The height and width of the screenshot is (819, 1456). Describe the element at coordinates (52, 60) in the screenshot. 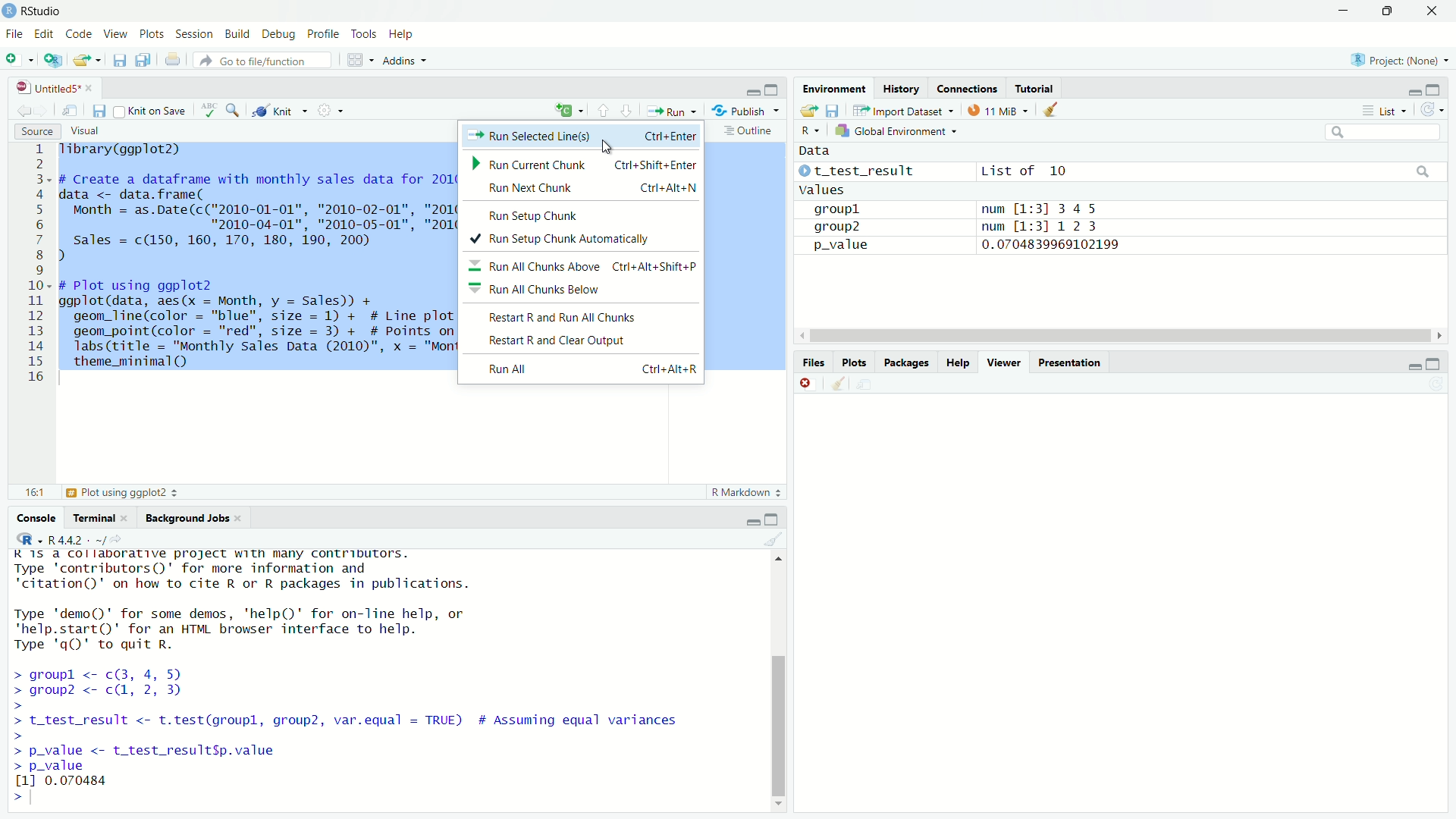

I see `new project` at that location.